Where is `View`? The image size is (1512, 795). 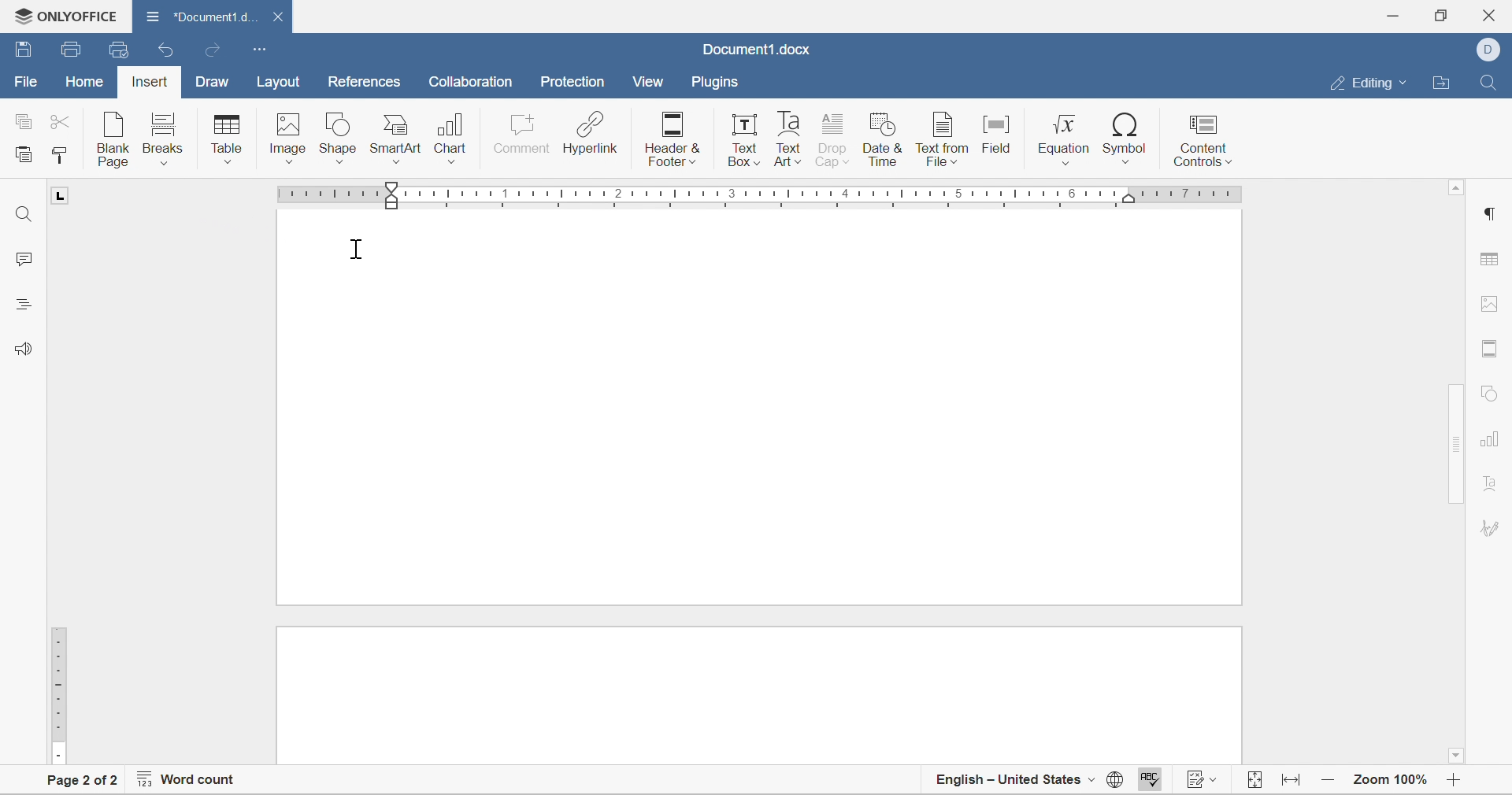
View is located at coordinates (649, 81).